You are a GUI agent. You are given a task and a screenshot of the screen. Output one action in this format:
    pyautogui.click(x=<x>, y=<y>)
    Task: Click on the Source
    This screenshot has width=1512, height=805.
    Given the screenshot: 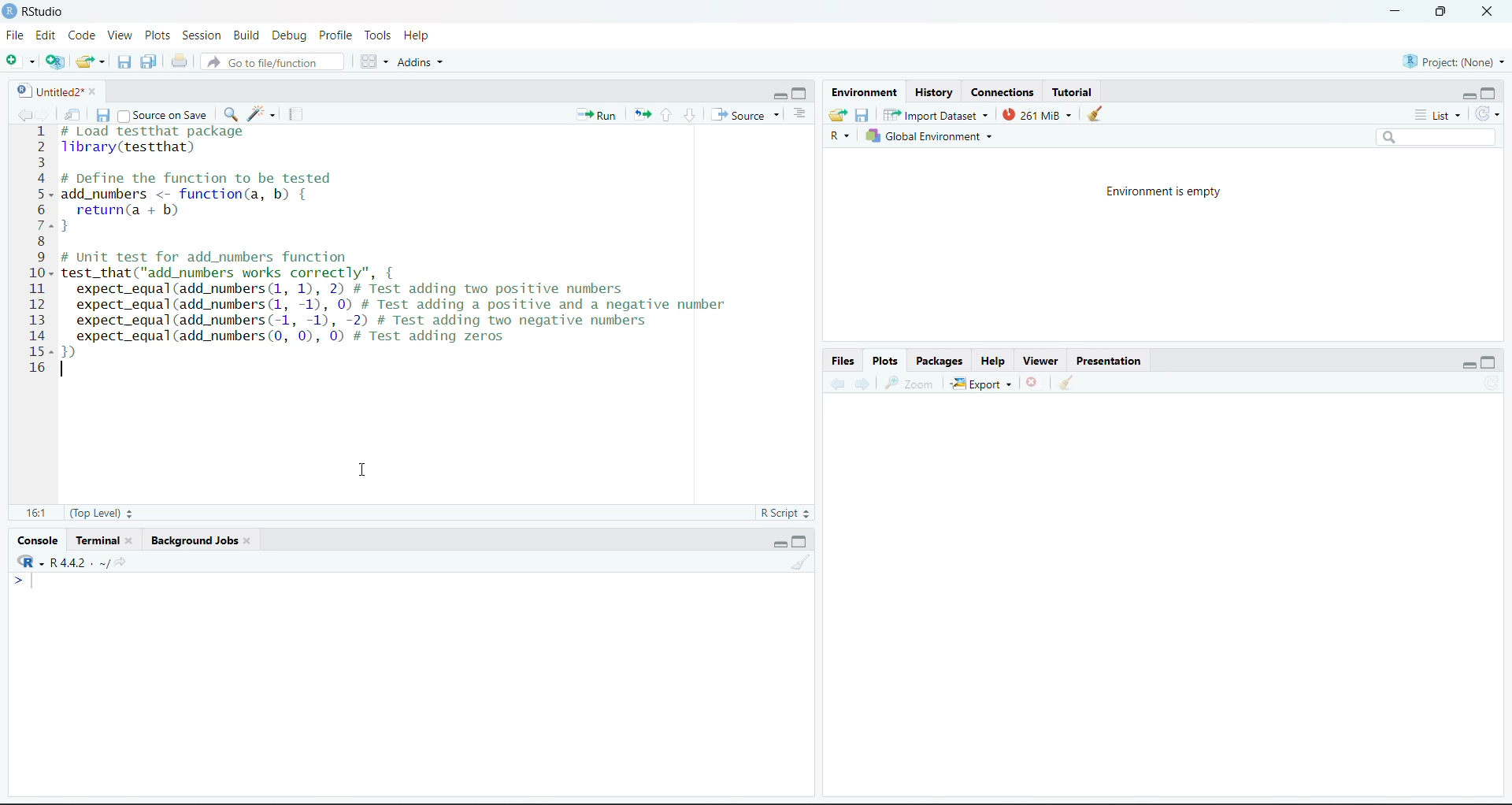 What is the action you would take?
    pyautogui.click(x=747, y=113)
    